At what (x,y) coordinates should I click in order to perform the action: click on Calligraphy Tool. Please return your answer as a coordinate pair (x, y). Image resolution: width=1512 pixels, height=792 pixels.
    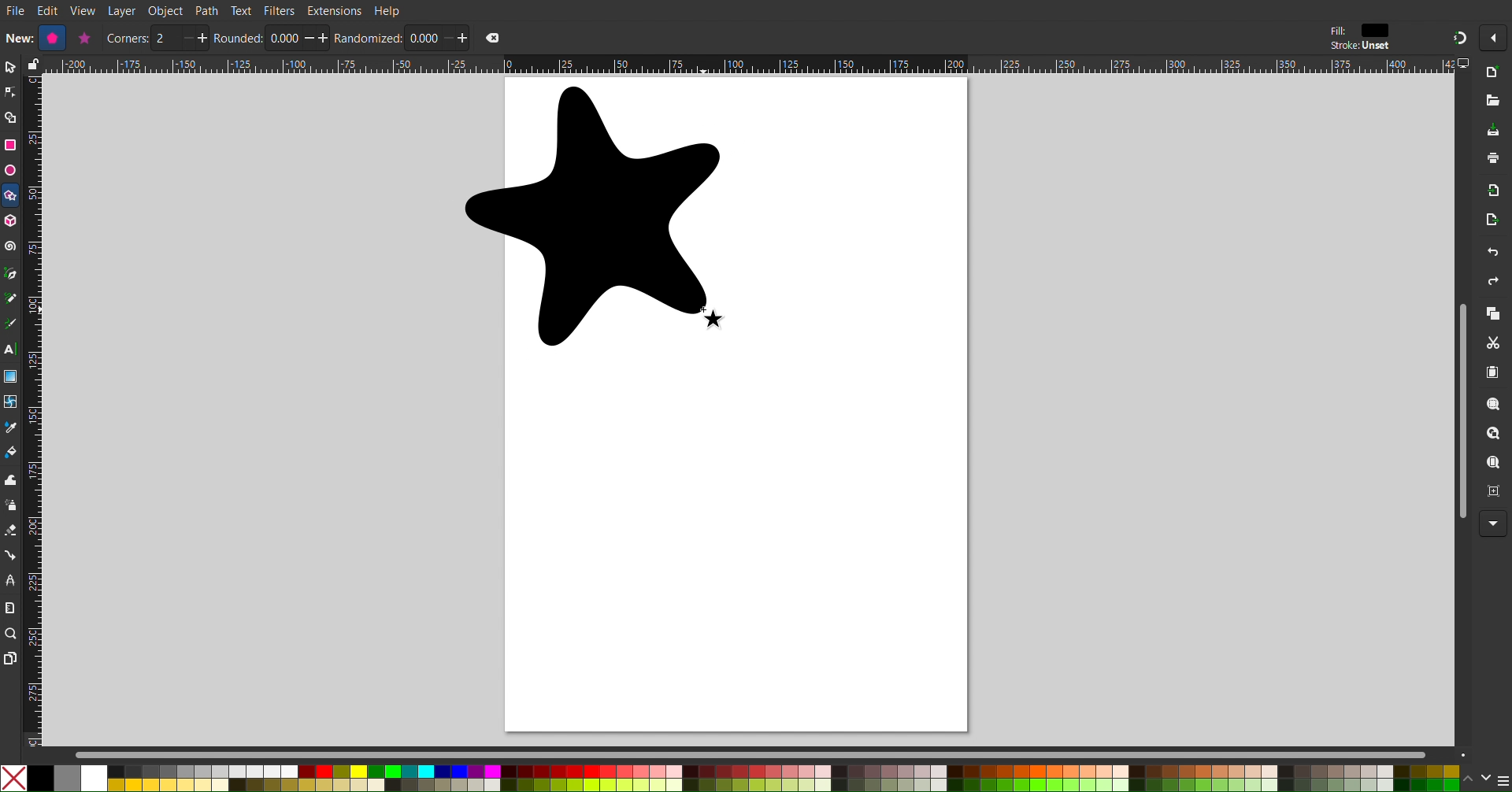
    Looking at the image, I should click on (9, 324).